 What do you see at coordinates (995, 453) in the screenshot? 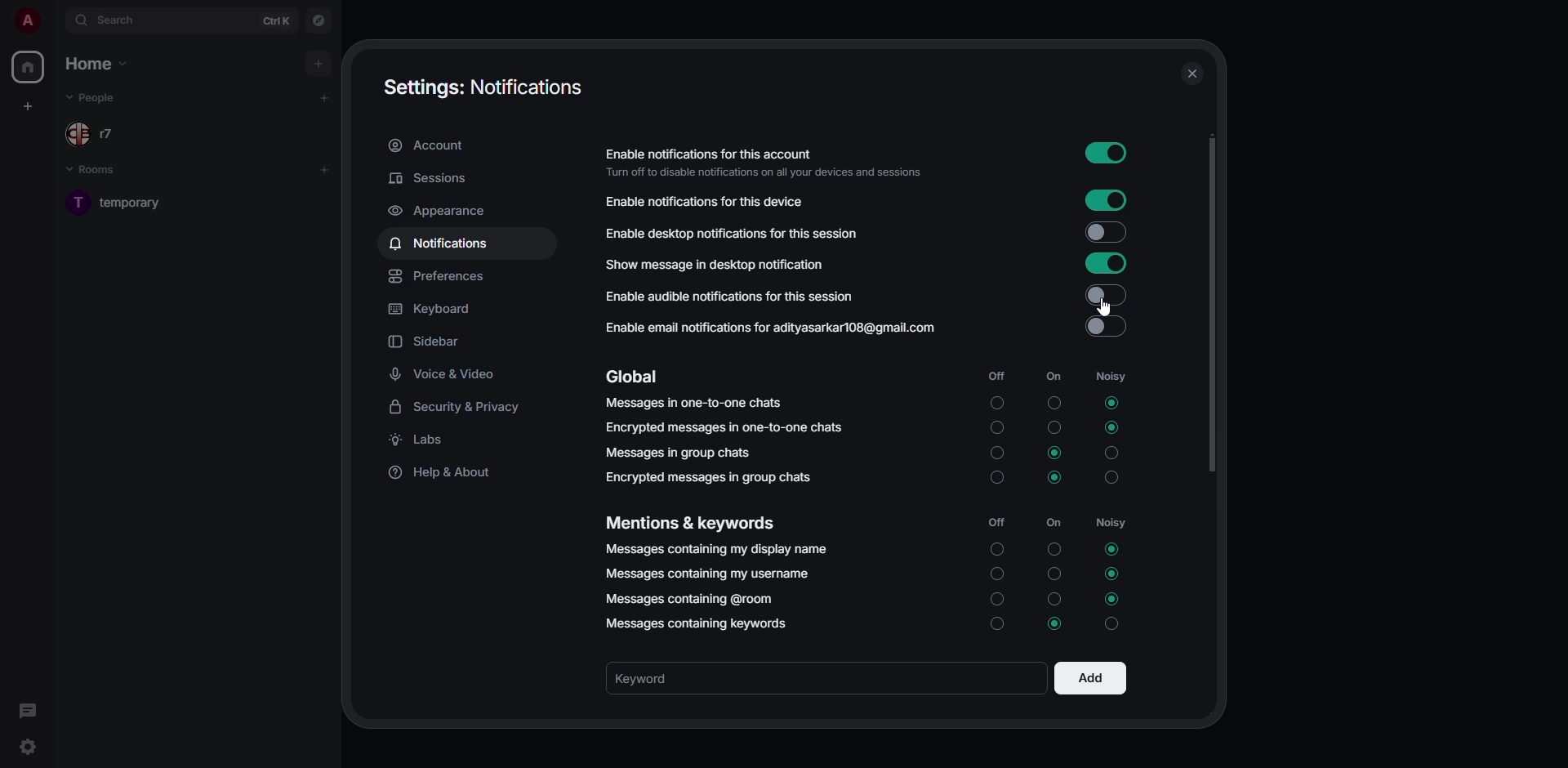
I see `off` at bounding box center [995, 453].